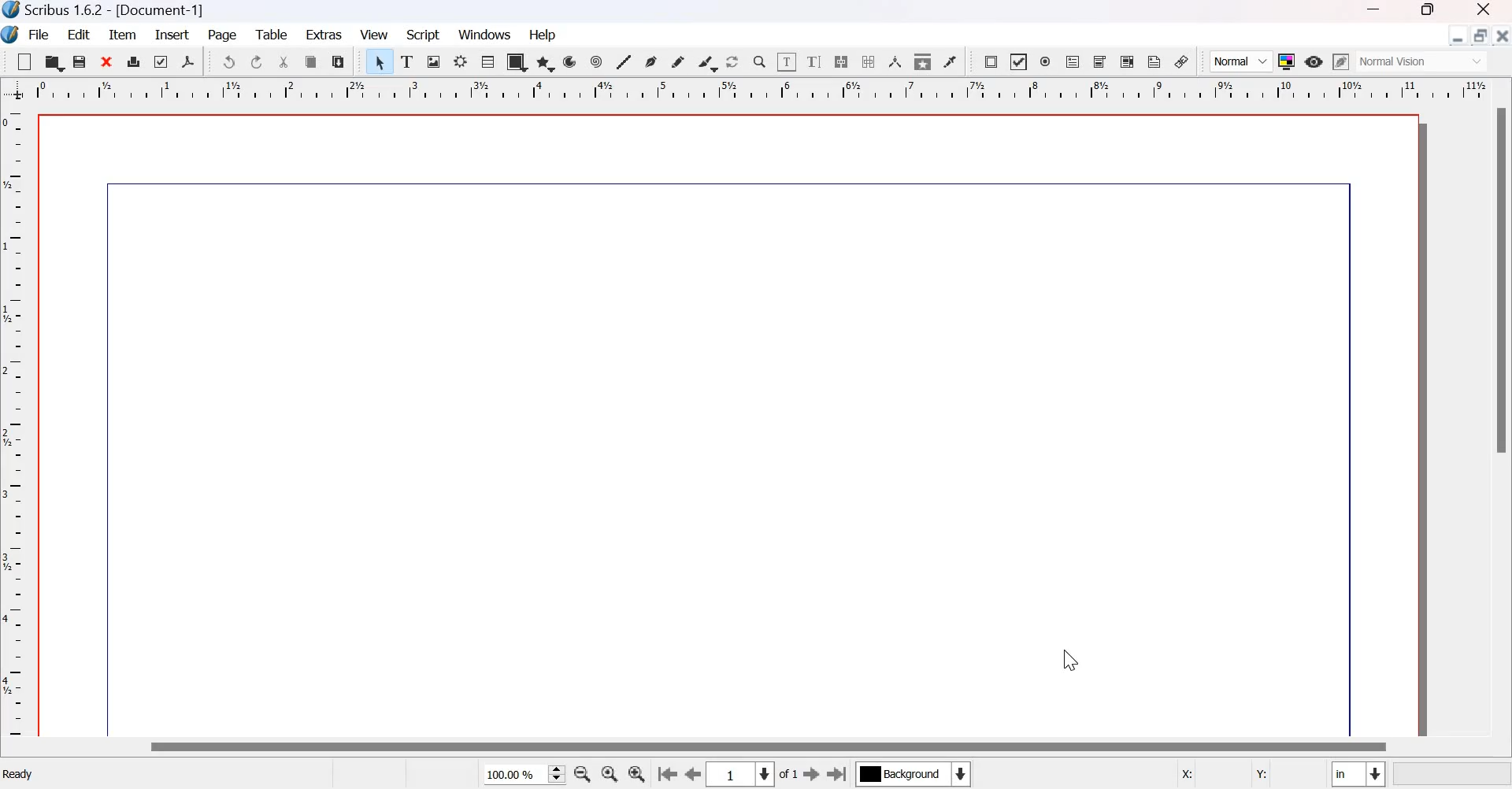  Describe the element at coordinates (224, 35) in the screenshot. I see `page` at that location.